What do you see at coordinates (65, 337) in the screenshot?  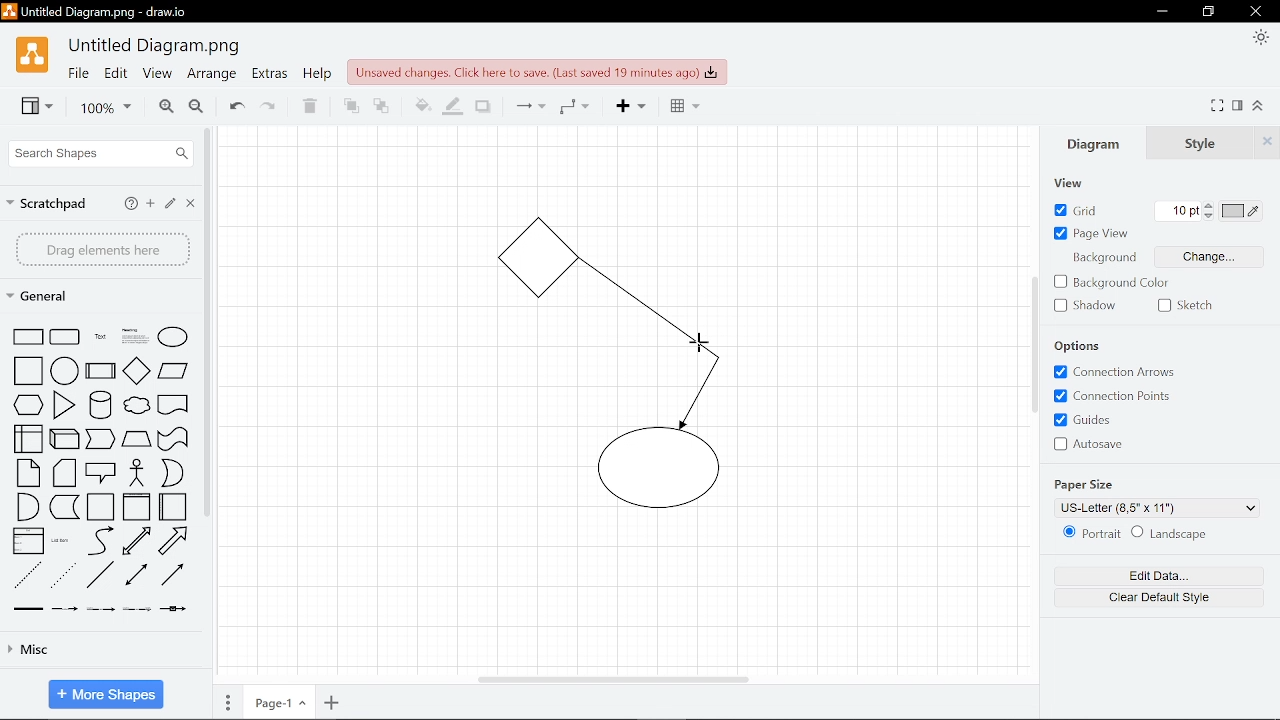 I see `shape` at bounding box center [65, 337].